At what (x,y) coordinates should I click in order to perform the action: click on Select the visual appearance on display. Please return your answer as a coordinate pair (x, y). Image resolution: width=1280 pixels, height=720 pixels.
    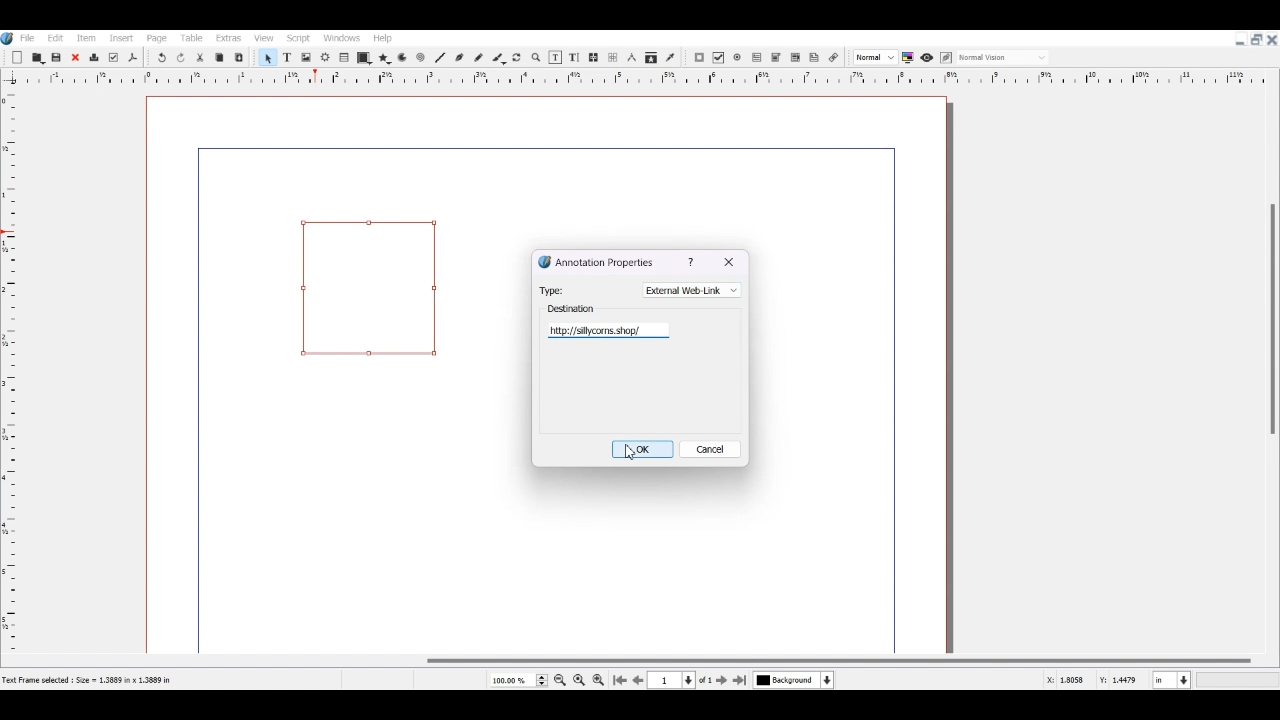
    Looking at the image, I should click on (1004, 56).